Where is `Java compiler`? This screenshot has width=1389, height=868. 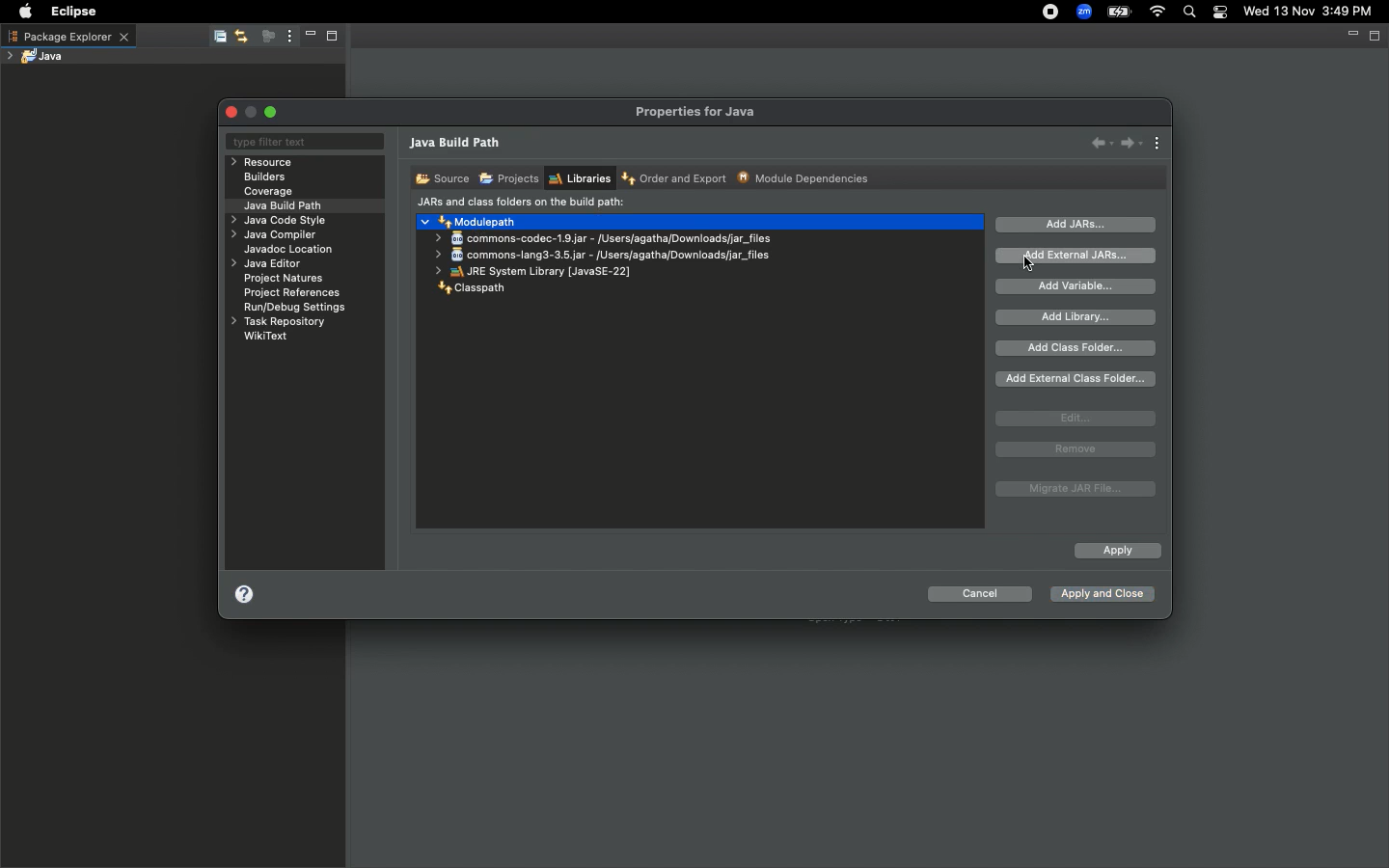 Java compiler is located at coordinates (277, 237).